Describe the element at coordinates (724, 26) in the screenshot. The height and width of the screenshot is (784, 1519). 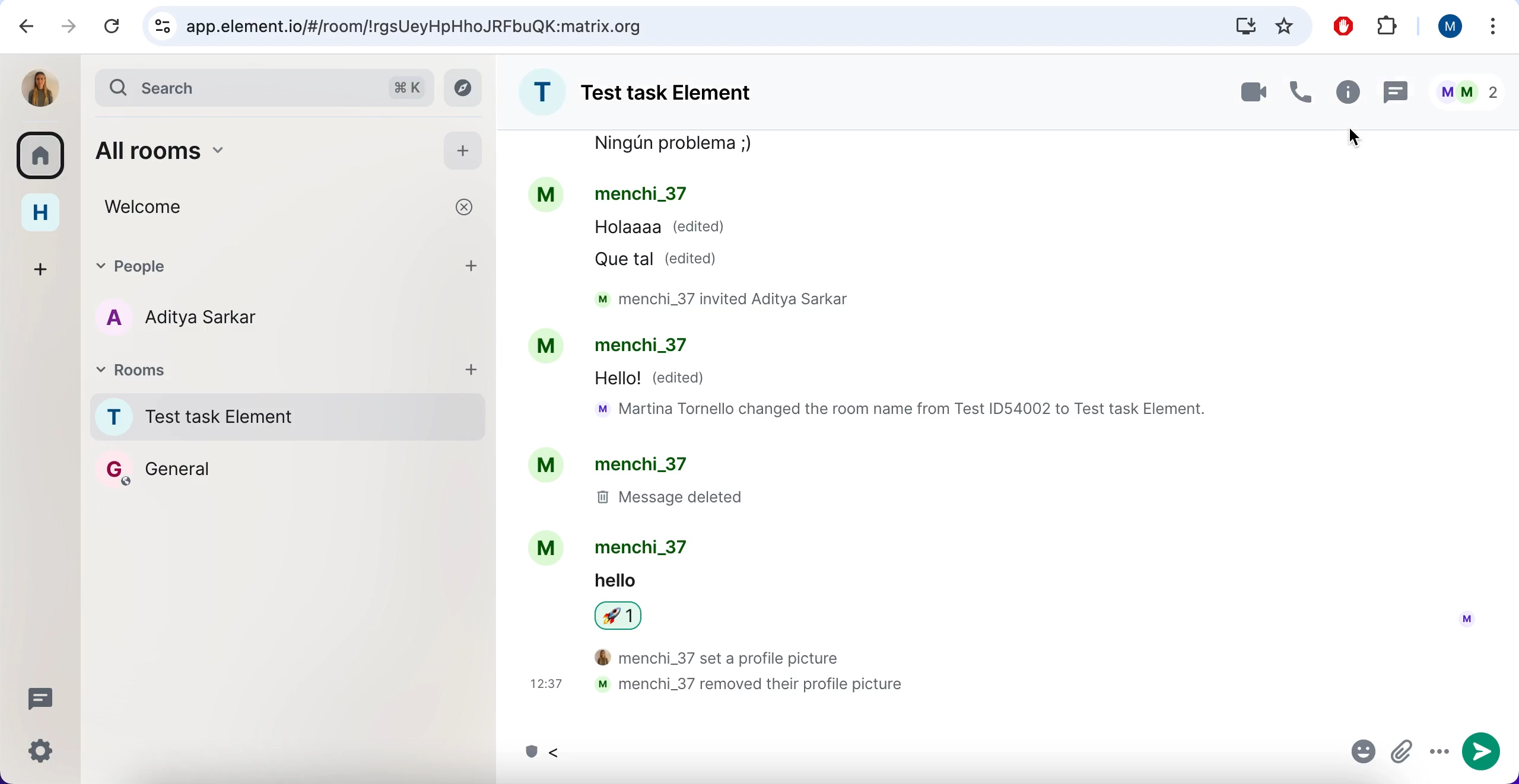
I see `search bar` at that location.